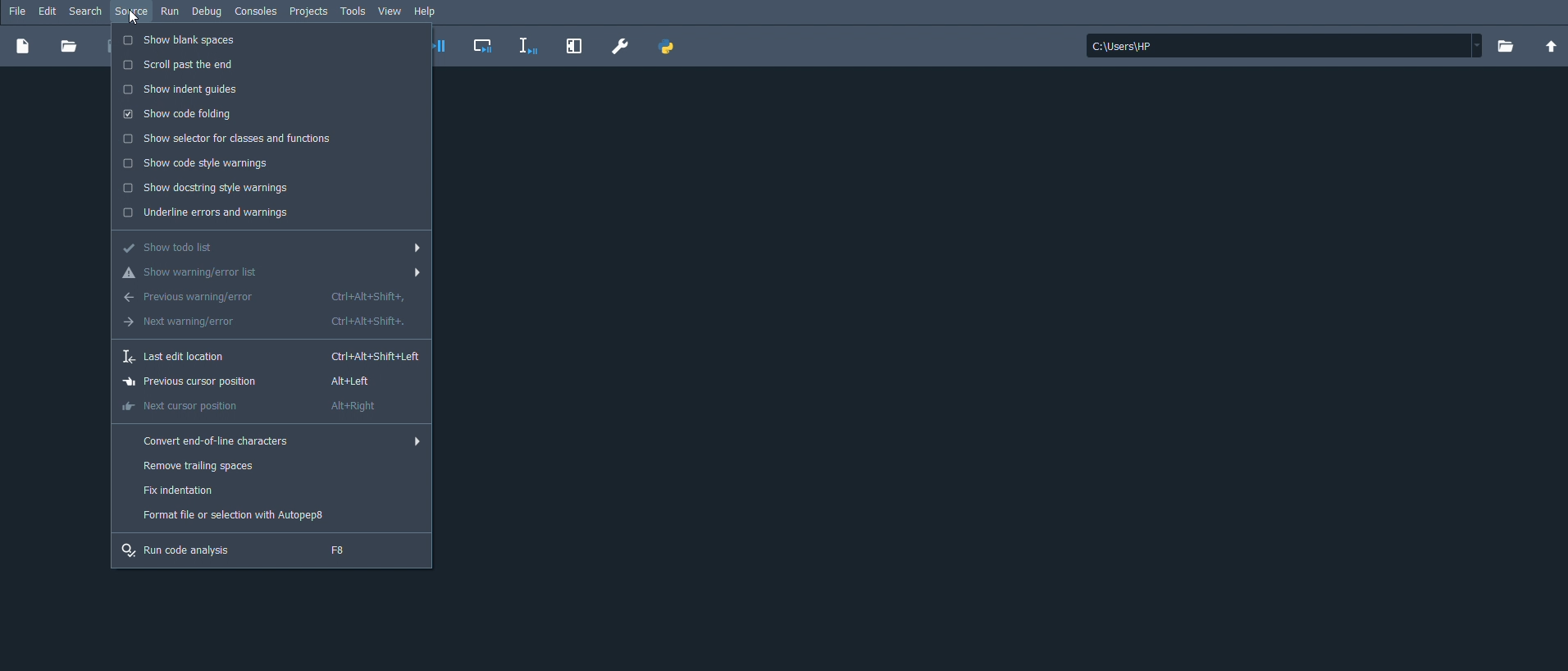  Describe the element at coordinates (209, 13) in the screenshot. I see `Debug` at that location.